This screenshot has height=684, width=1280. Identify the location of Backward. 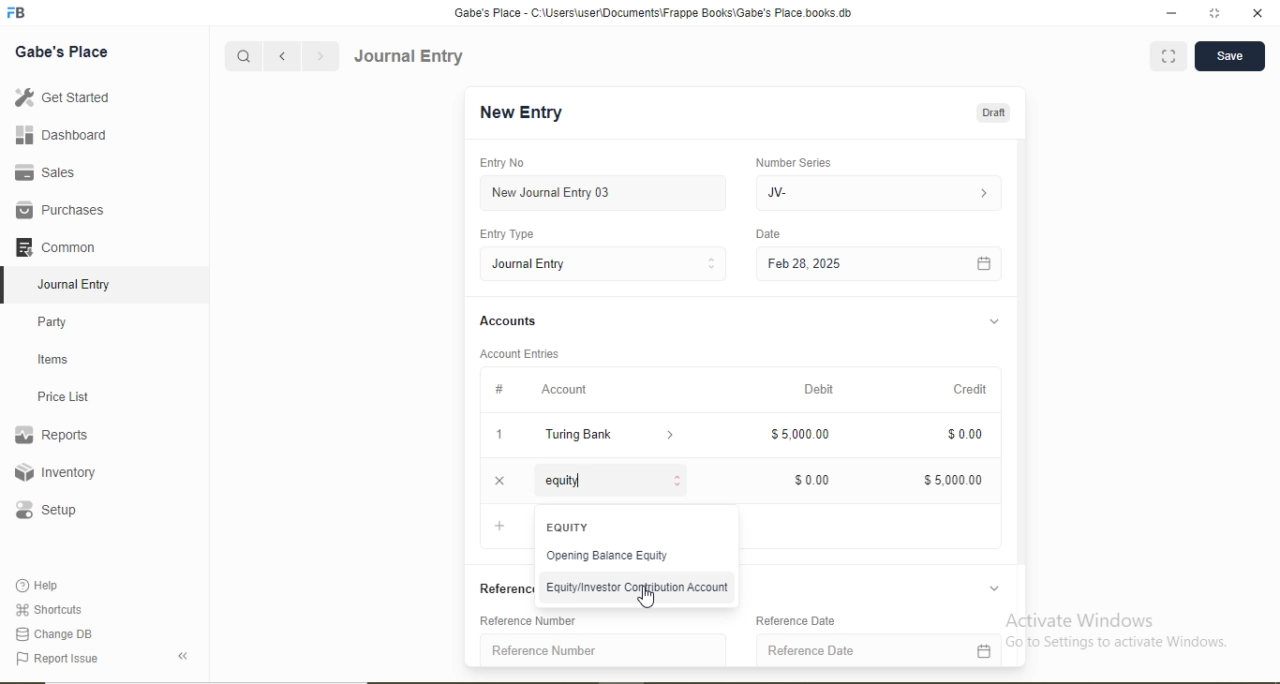
(282, 57).